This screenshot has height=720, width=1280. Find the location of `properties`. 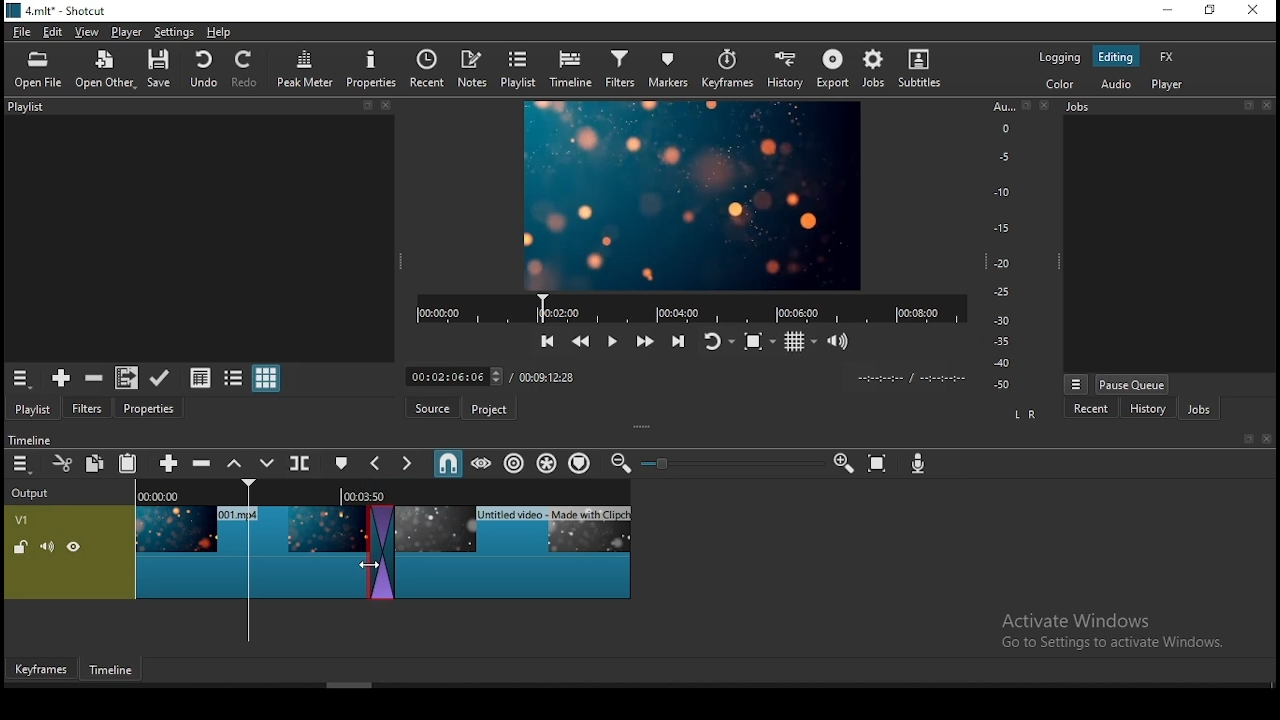

properties is located at coordinates (371, 68).